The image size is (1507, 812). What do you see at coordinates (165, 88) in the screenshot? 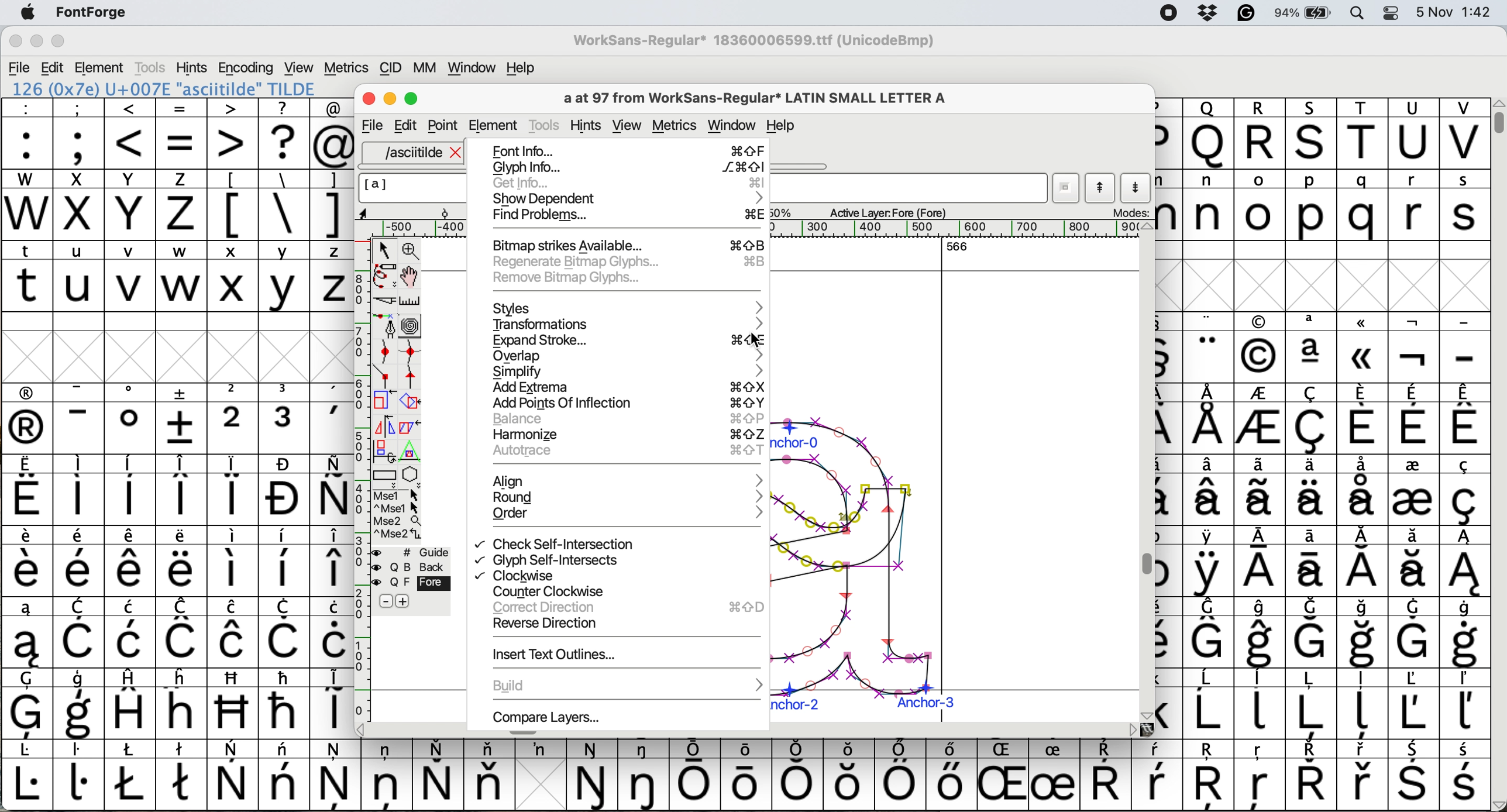
I see `126 (0x7e) U+007E "asciitilde" TILDE` at bounding box center [165, 88].